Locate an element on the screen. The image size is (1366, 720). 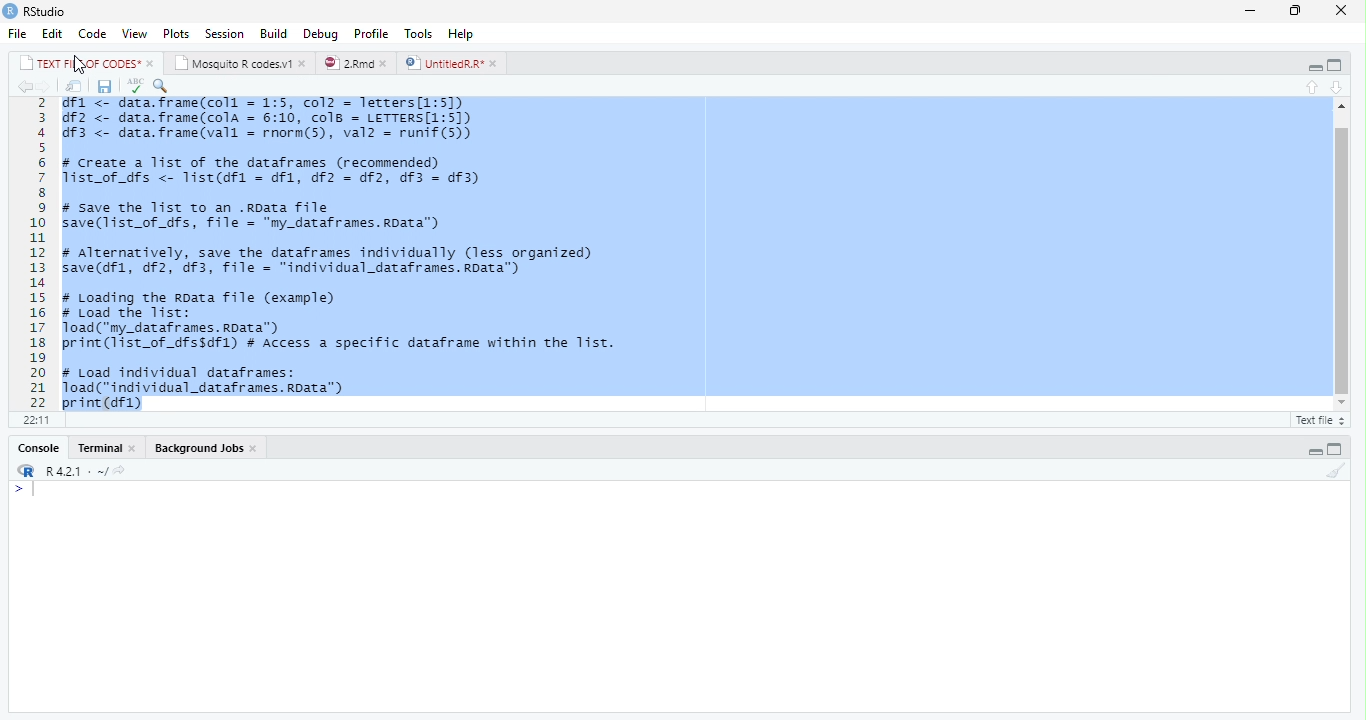
Minimize is located at coordinates (1252, 10).